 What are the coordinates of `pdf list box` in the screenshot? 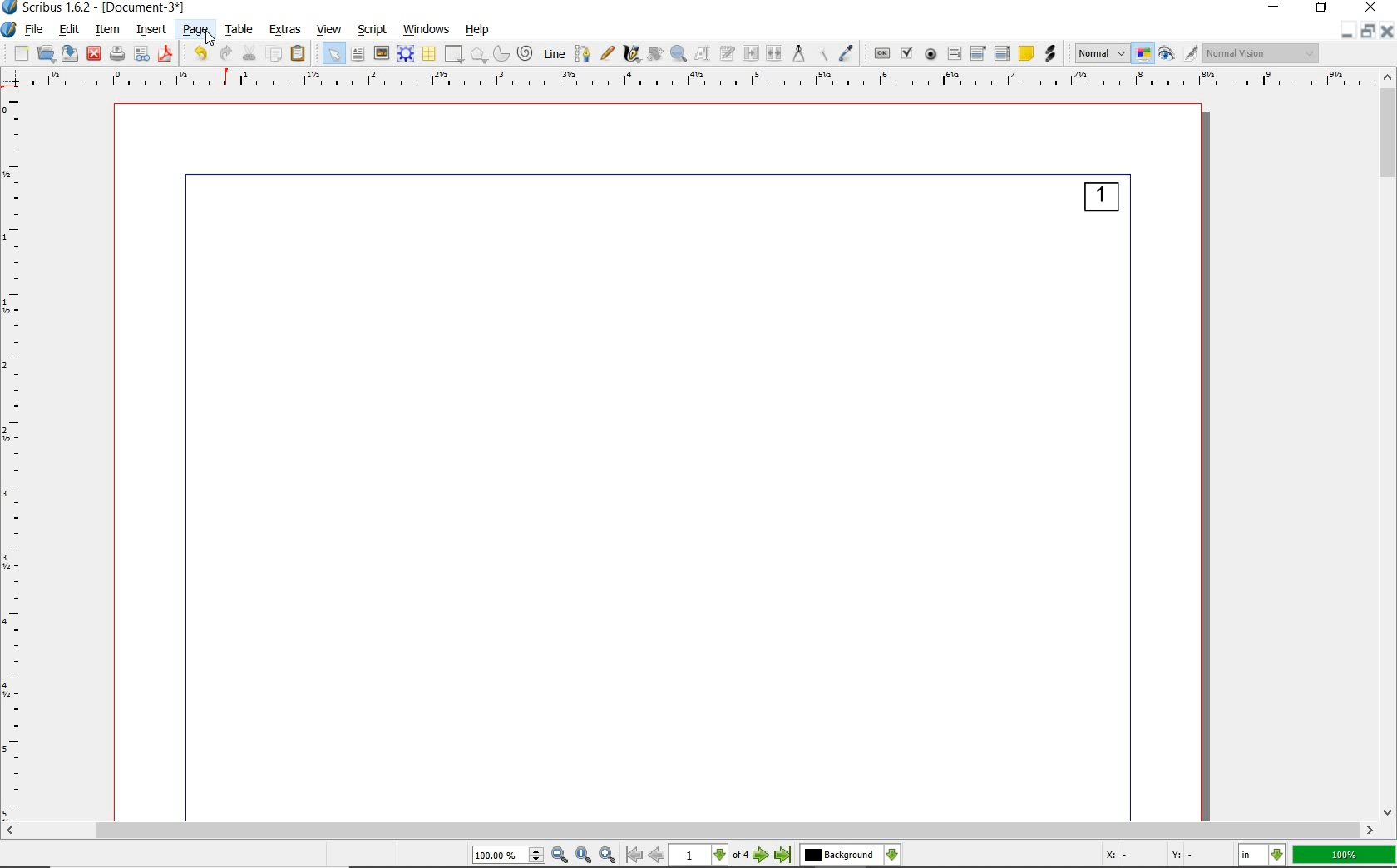 It's located at (1004, 53).